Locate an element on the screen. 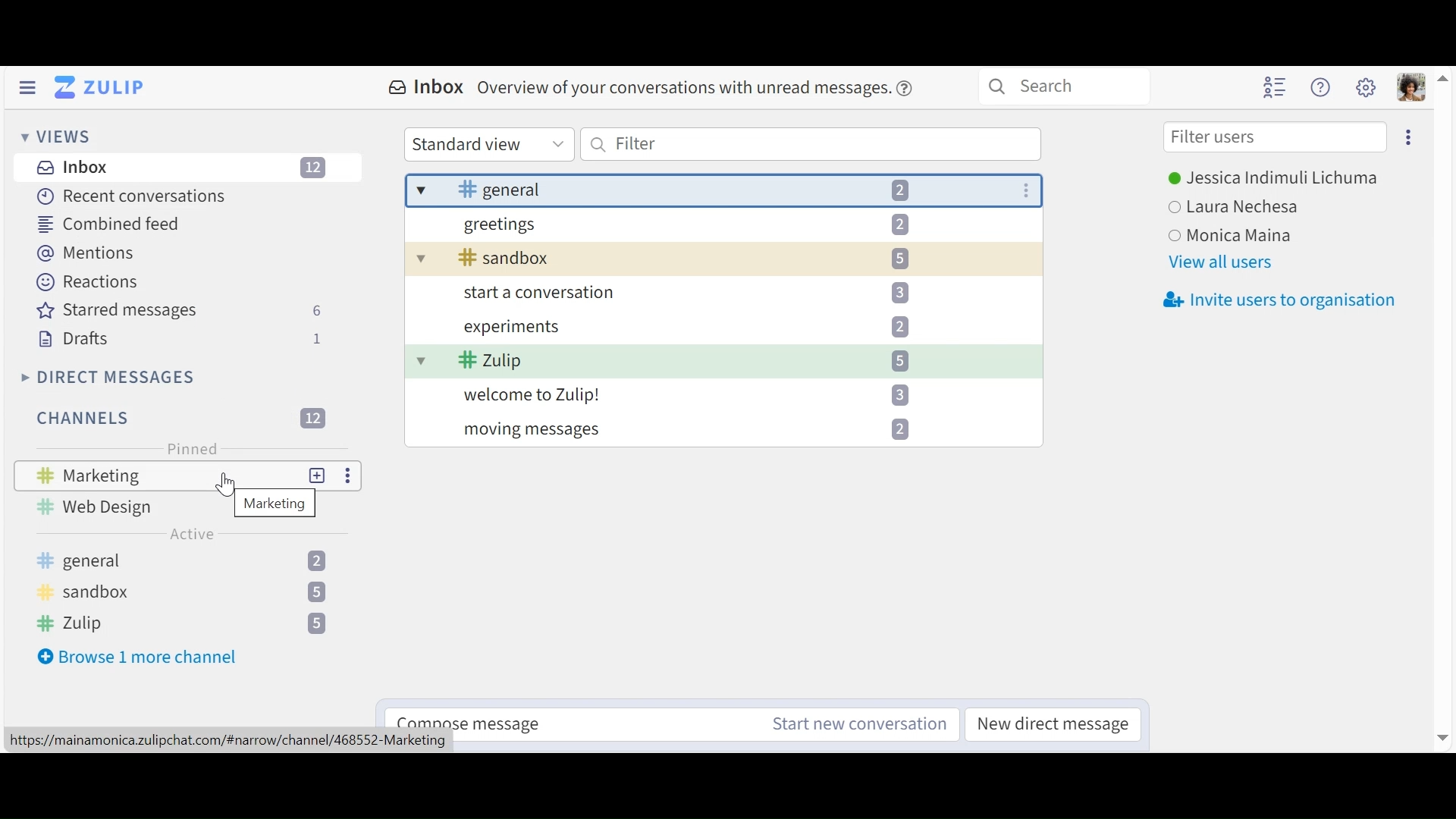 Image resolution: width=1456 pixels, height=819 pixels. experiments is located at coordinates (705, 328).